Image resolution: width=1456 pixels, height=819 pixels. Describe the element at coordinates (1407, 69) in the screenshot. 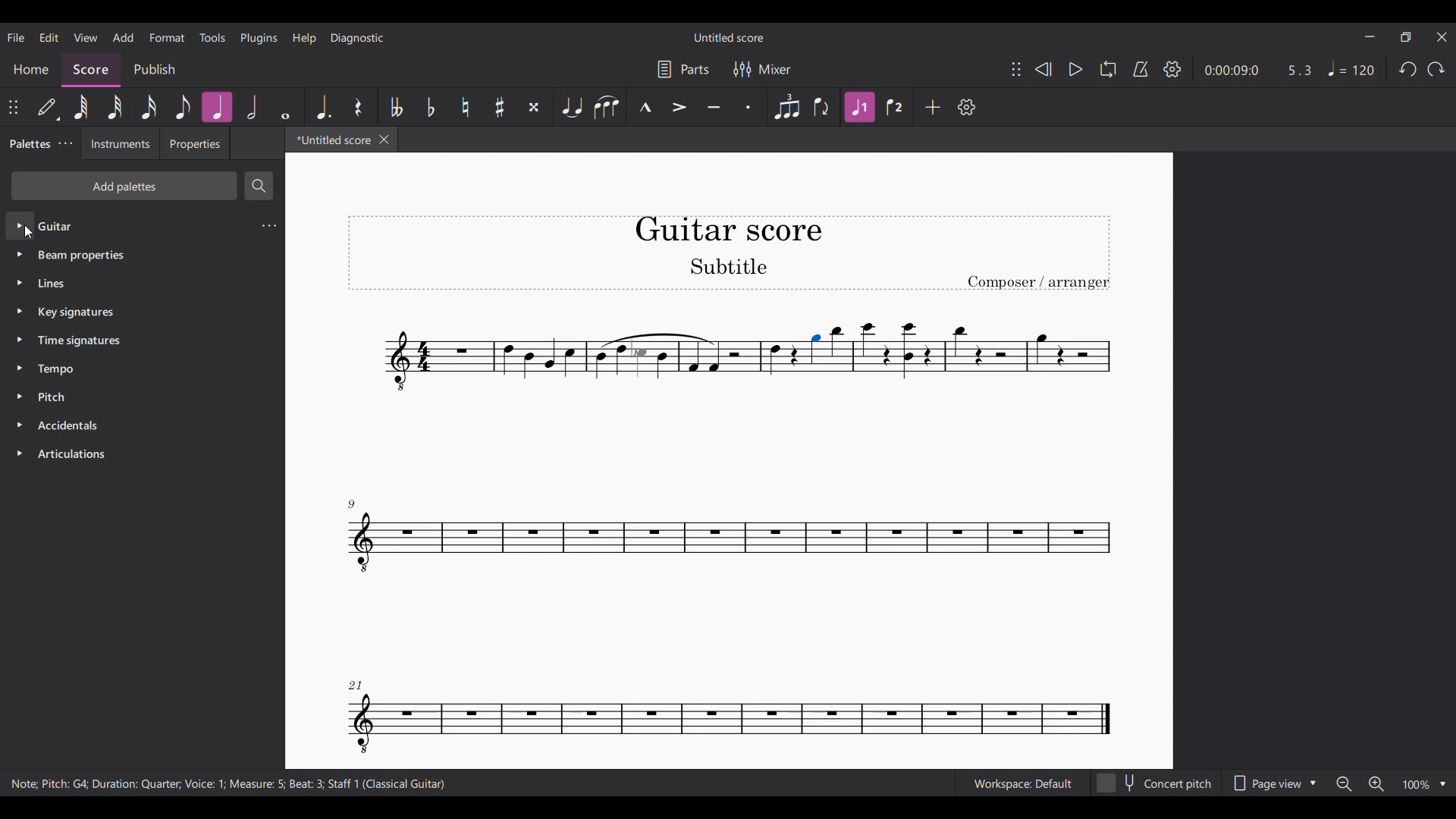

I see `Undo` at that location.